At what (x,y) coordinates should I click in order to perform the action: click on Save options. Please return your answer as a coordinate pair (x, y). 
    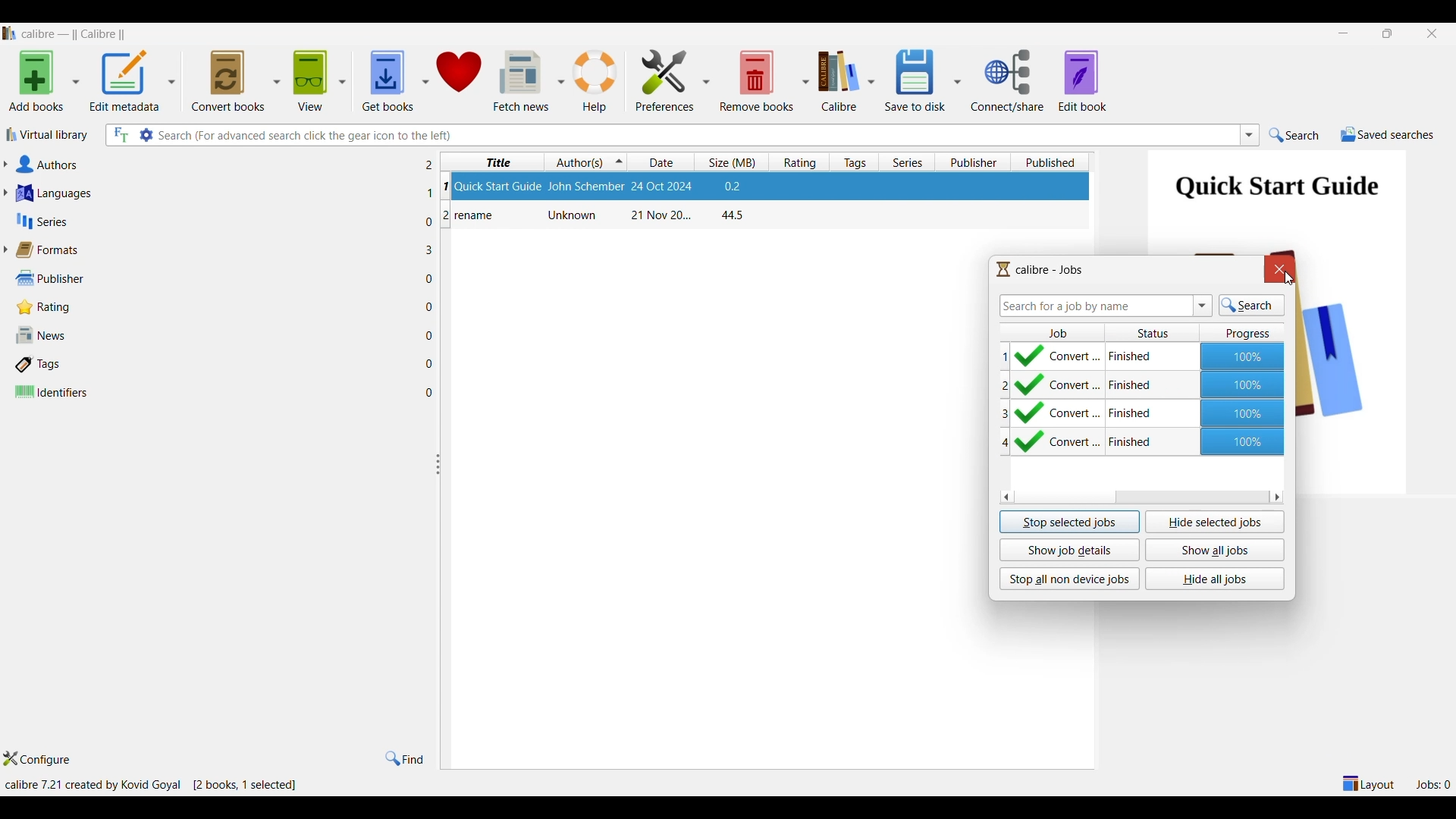
    Looking at the image, I should click on (956, 81).